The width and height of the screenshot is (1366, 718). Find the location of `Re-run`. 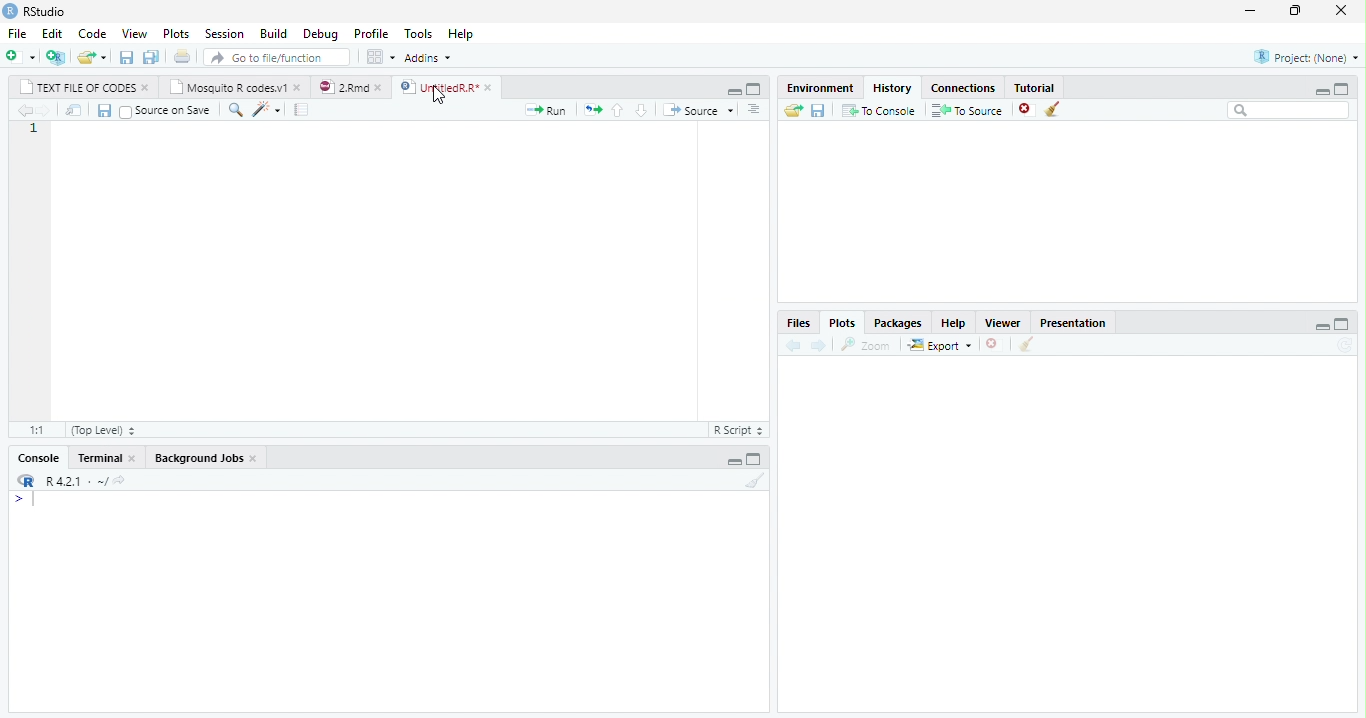

Re-run is located at coordinates (592, 110).